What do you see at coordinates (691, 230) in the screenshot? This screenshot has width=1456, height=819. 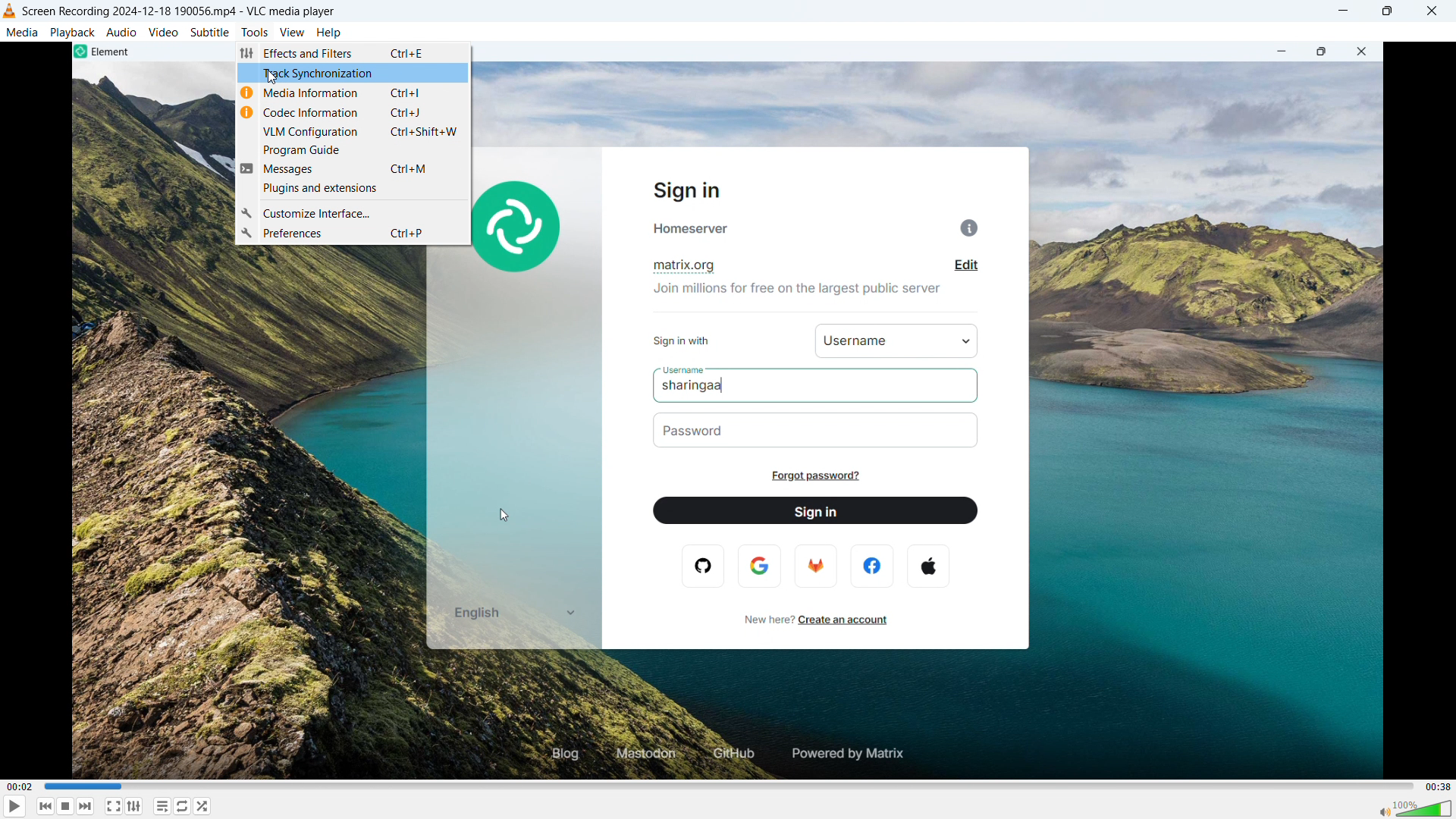 I see `homeserver` at bounding box center [691, 230].